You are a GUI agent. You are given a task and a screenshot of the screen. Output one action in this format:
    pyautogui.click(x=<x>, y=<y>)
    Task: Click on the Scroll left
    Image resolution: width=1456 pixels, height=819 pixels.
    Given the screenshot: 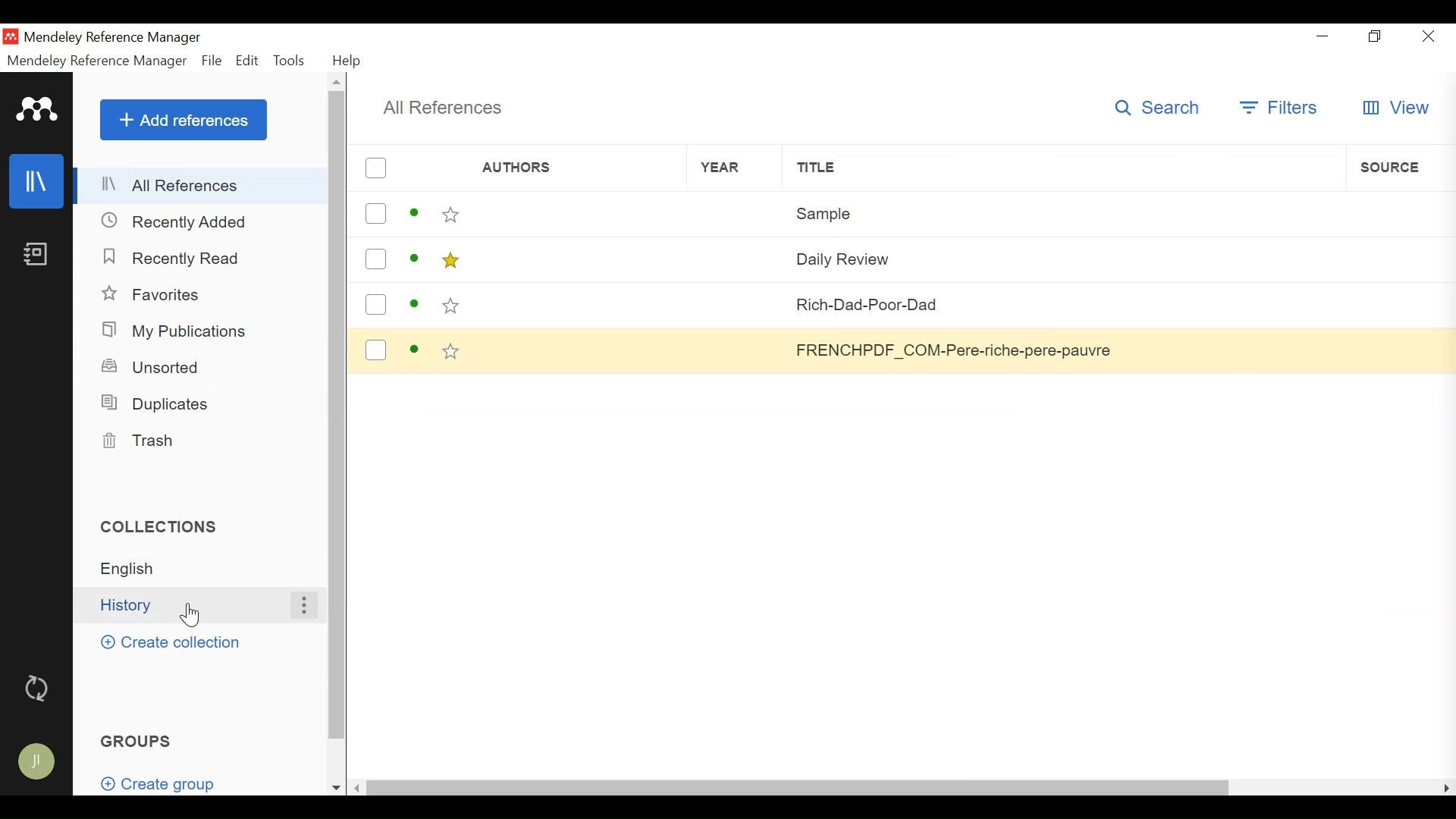 What is the action you would take?
    pyautogui.click(x=360, y=787)
    